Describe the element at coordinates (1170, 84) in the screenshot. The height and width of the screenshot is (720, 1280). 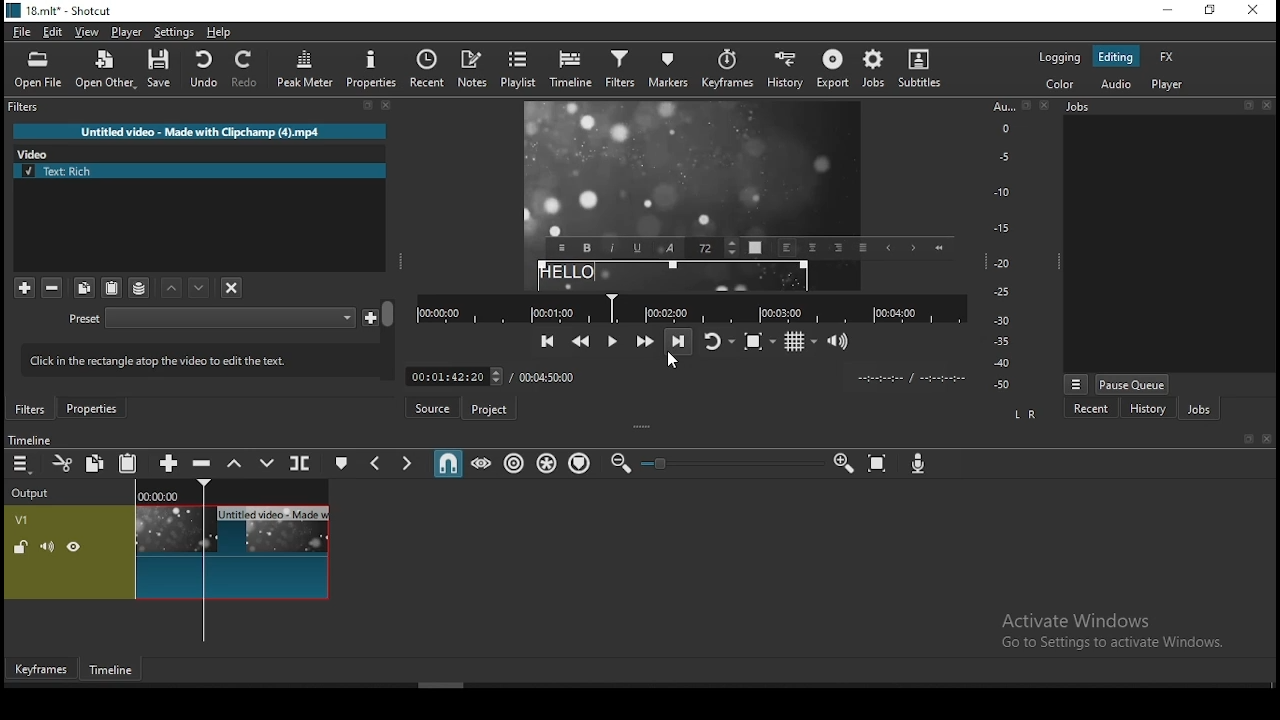
I see `player` at that location.